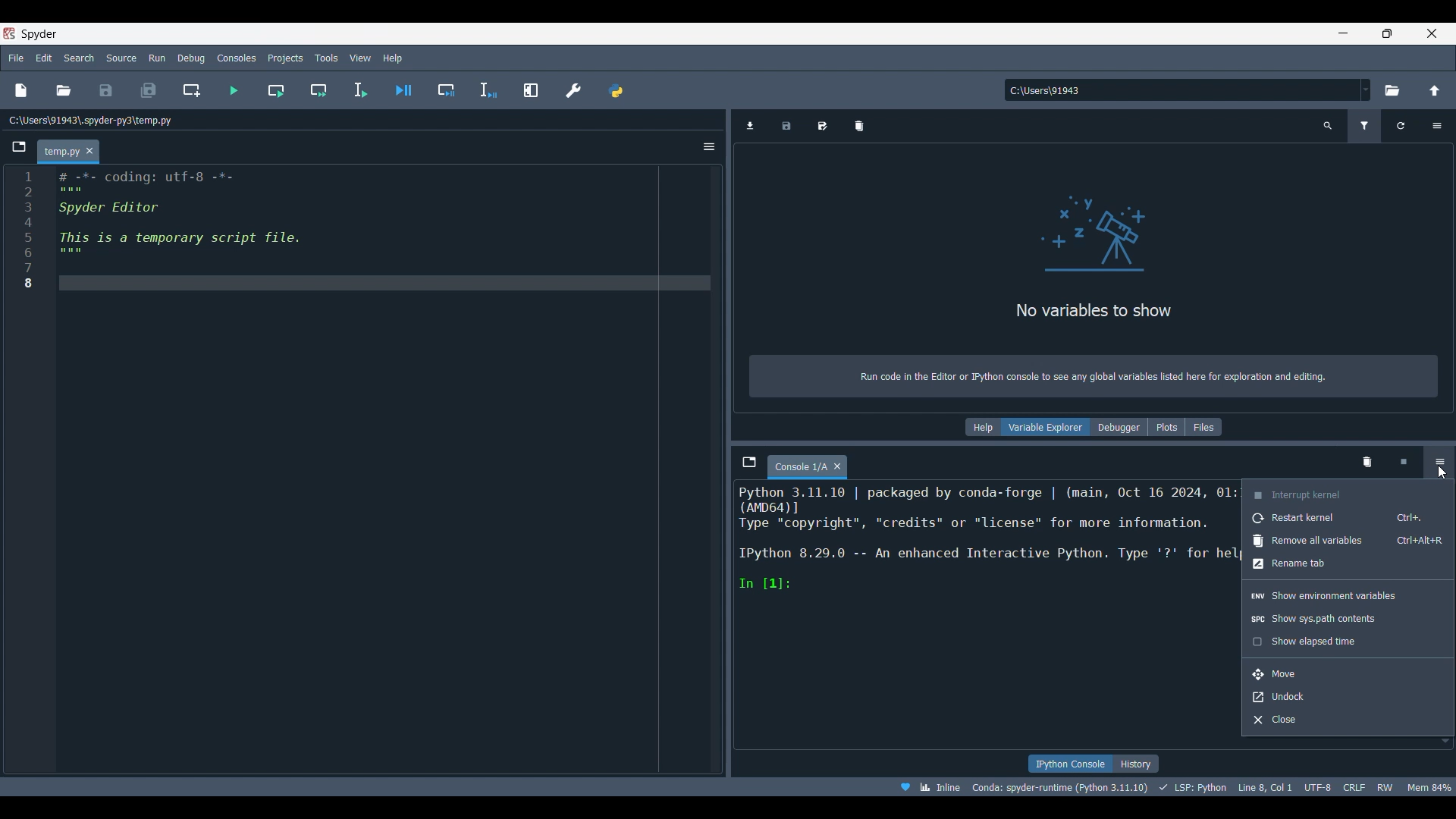 The width and height of the screenshot is (1456, 819). Describe the element at coordinates (318, 89) in the screenshot. I see `Run current cell and go to next one` at that location.